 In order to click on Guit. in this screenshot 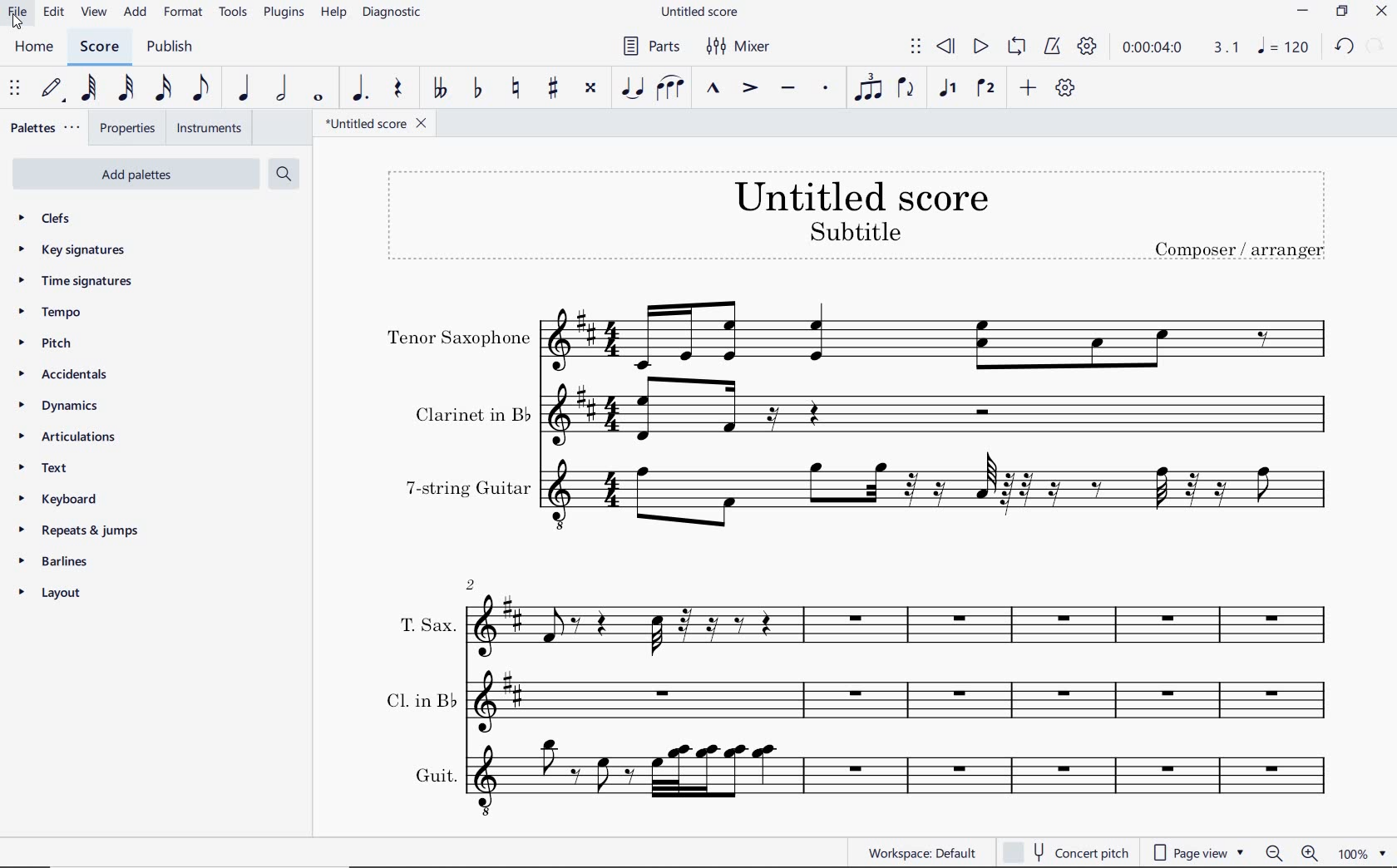, I will do `click(858, 780)`.